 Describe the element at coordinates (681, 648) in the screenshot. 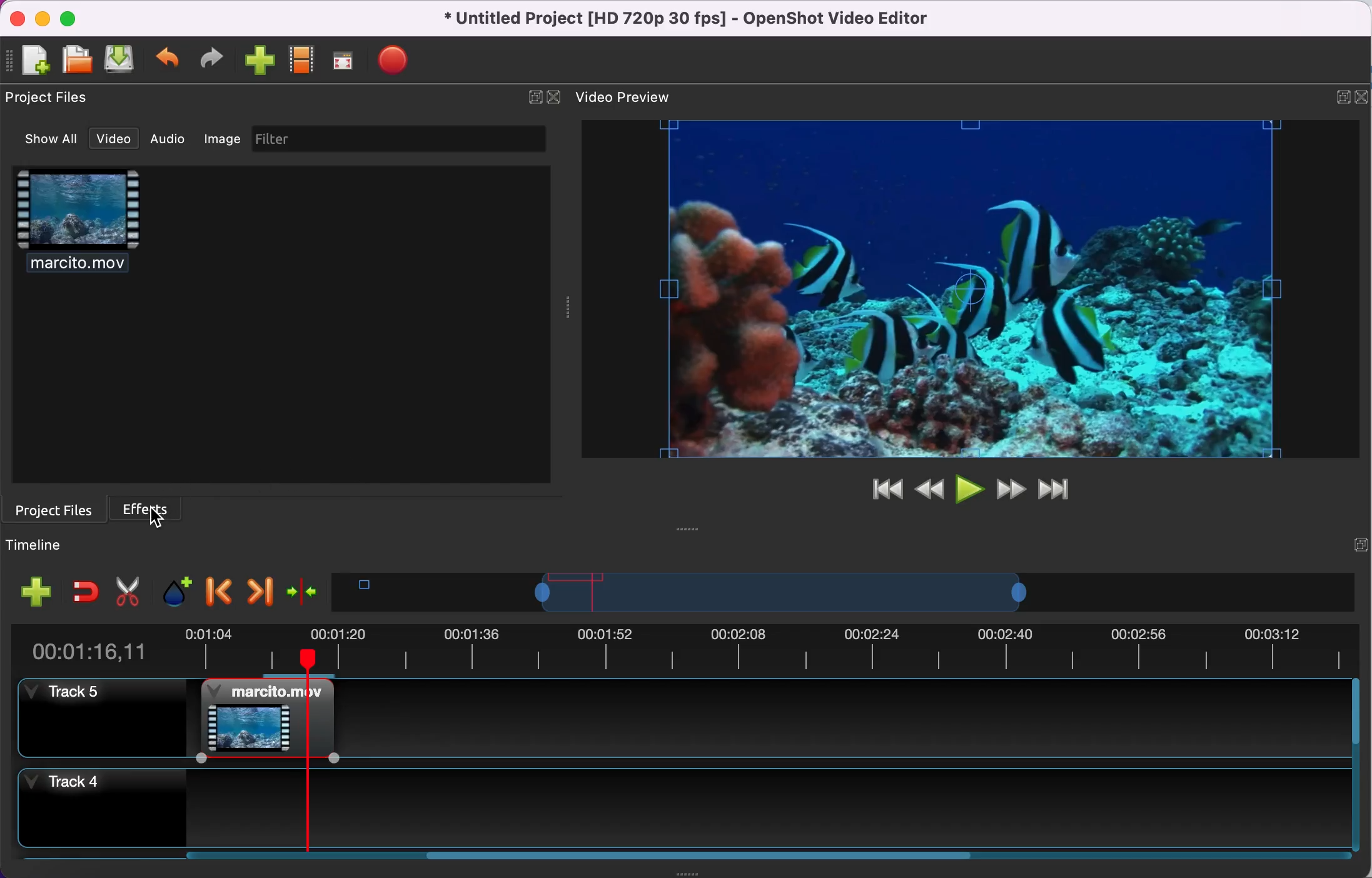

I see `duration` at that location.